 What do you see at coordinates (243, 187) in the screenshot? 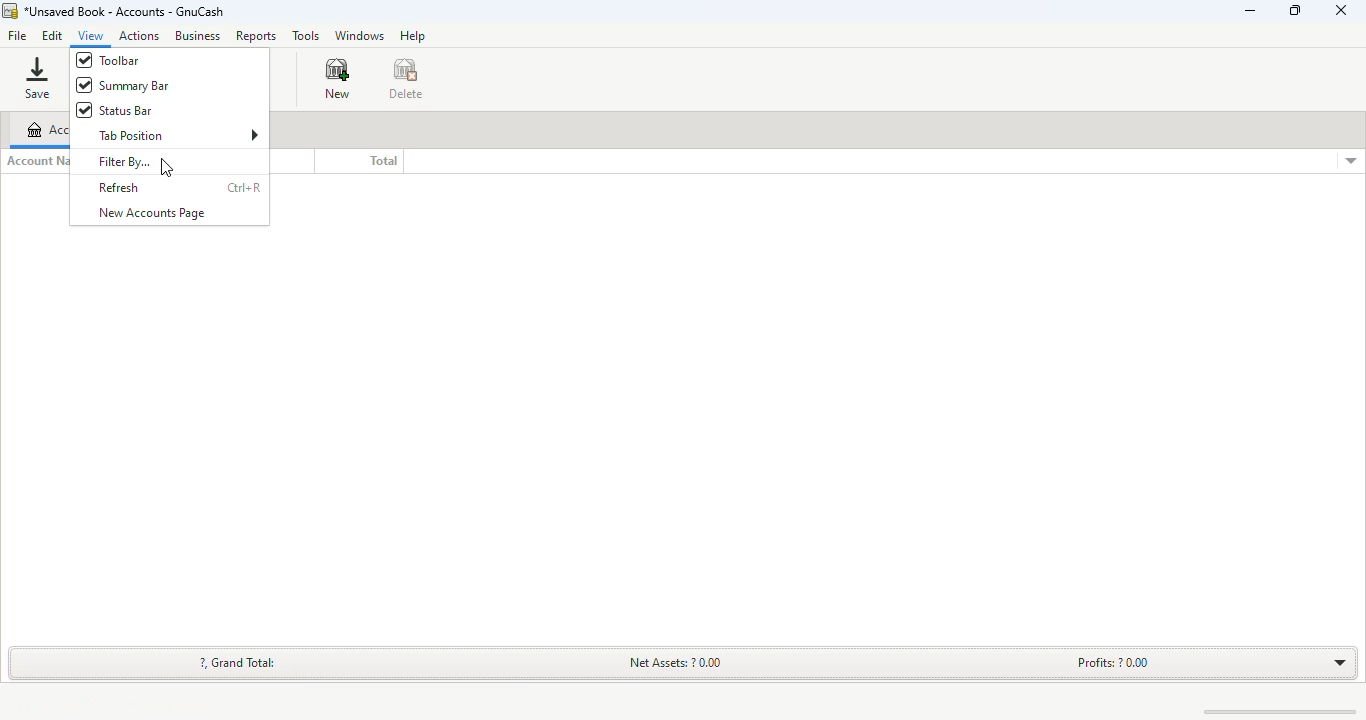
I see `shortcut for refresh` at bounding box center [243, 187].